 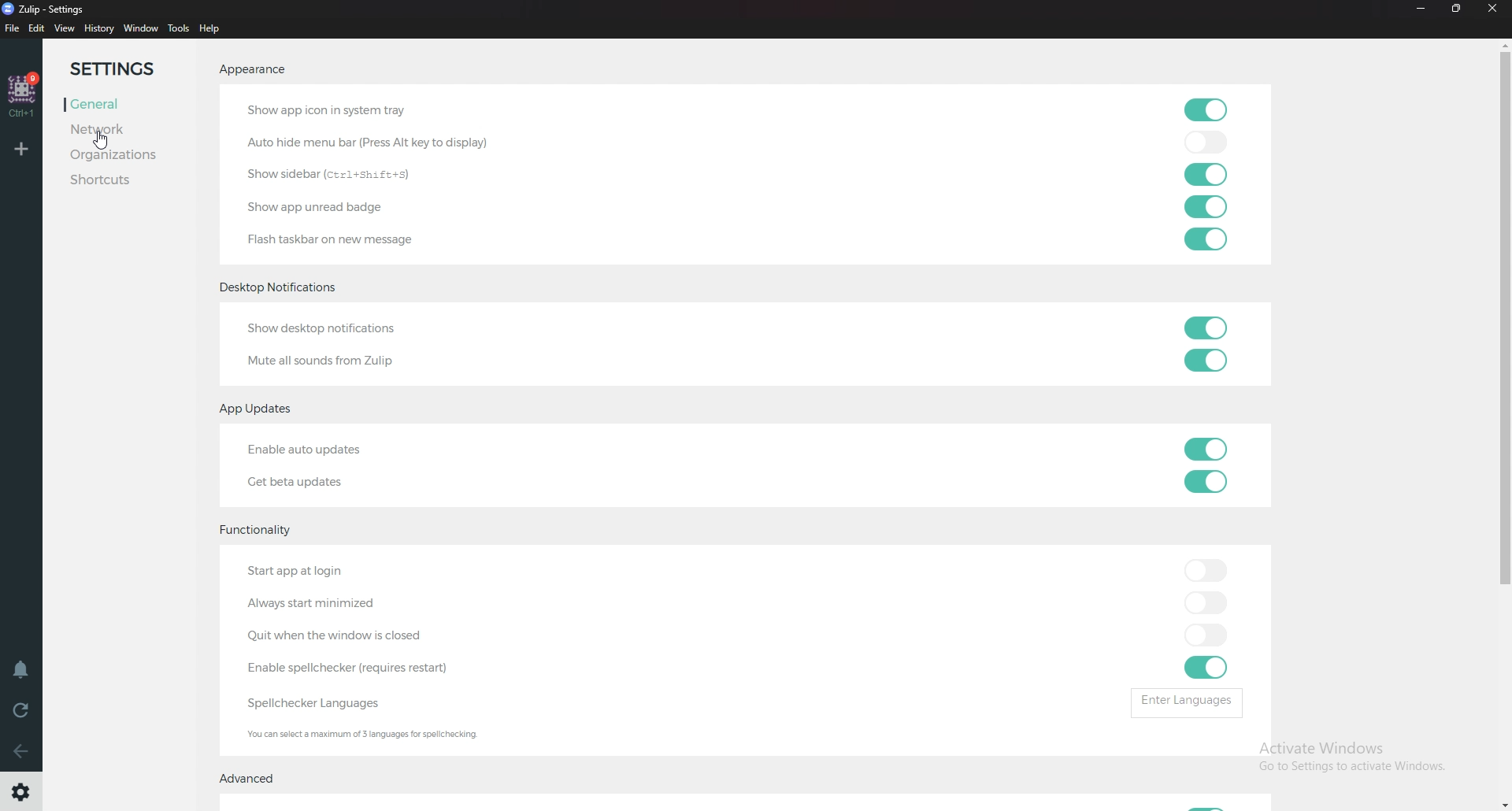 What do you see at coordinates (309, 606) in the screenshot?
I see `Always start minimized` at bounding box center [309, 606].